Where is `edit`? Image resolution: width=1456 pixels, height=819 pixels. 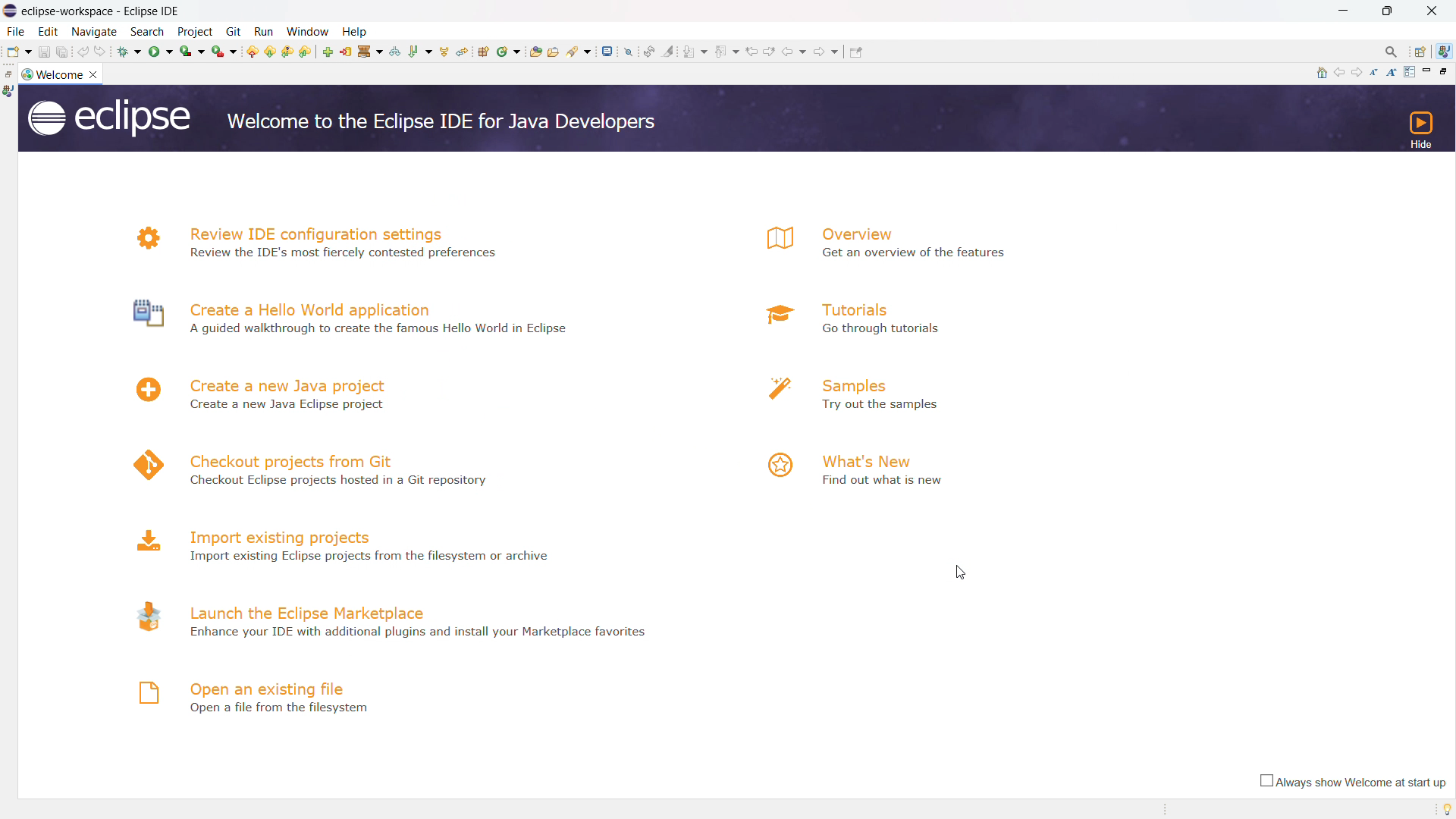 edit is located at coordinates (48, 31).